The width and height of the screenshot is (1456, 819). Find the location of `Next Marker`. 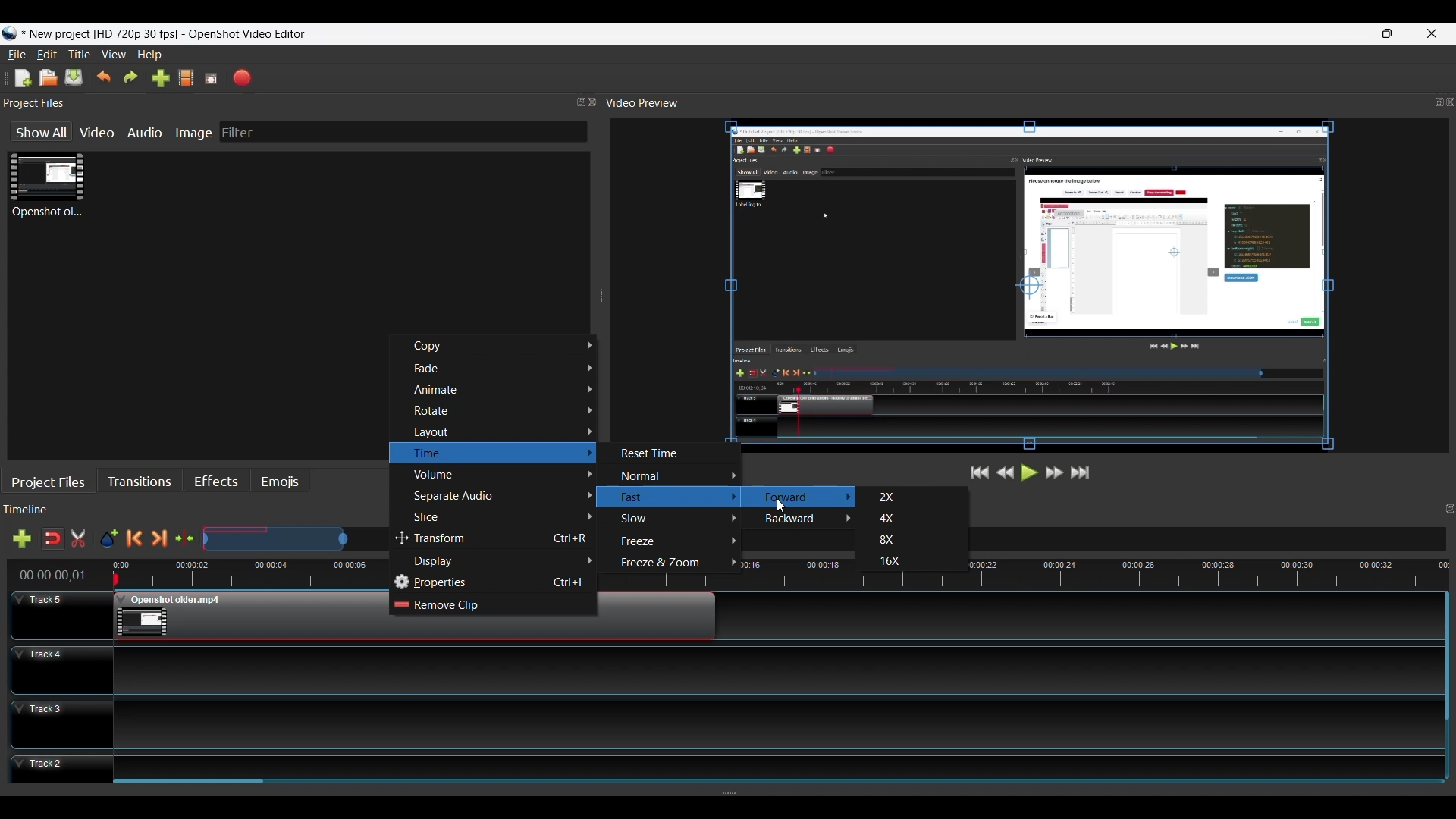

Next Marker is located at coordinates (158, 539).